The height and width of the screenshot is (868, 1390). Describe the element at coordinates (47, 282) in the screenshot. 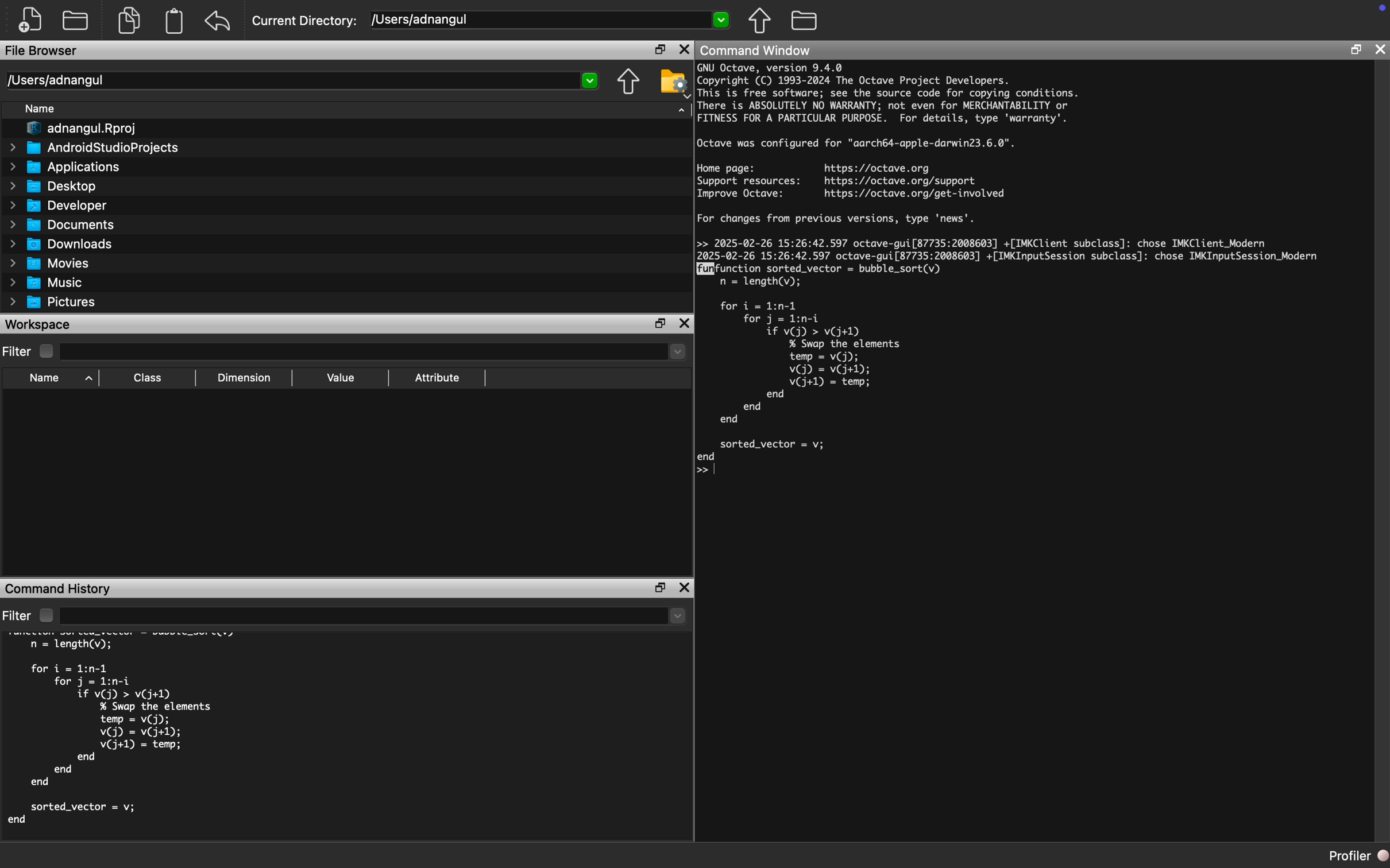

I see `Music` at that location.